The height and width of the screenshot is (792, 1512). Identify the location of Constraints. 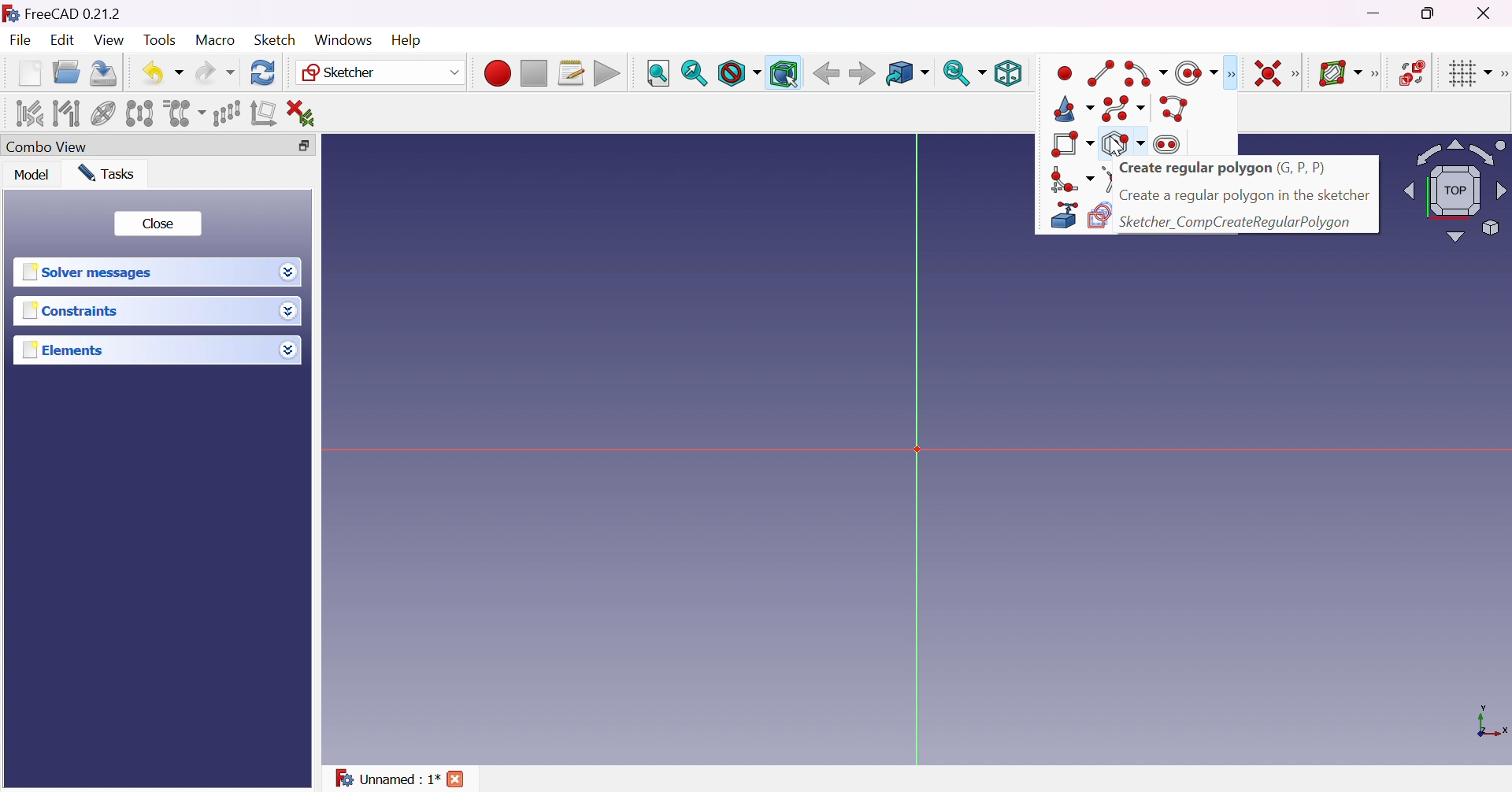
(75, 310).